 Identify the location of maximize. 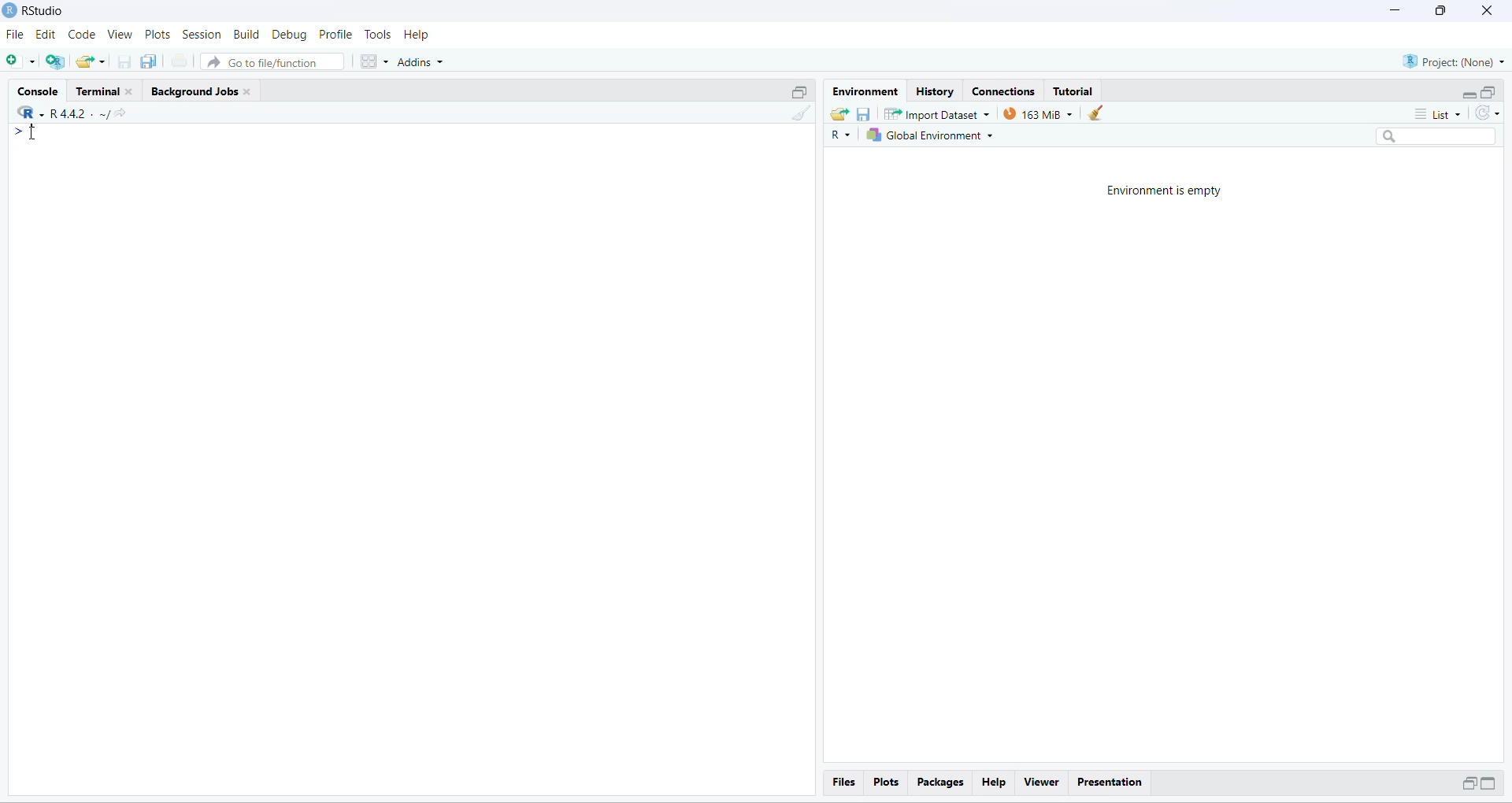
(799, 91).